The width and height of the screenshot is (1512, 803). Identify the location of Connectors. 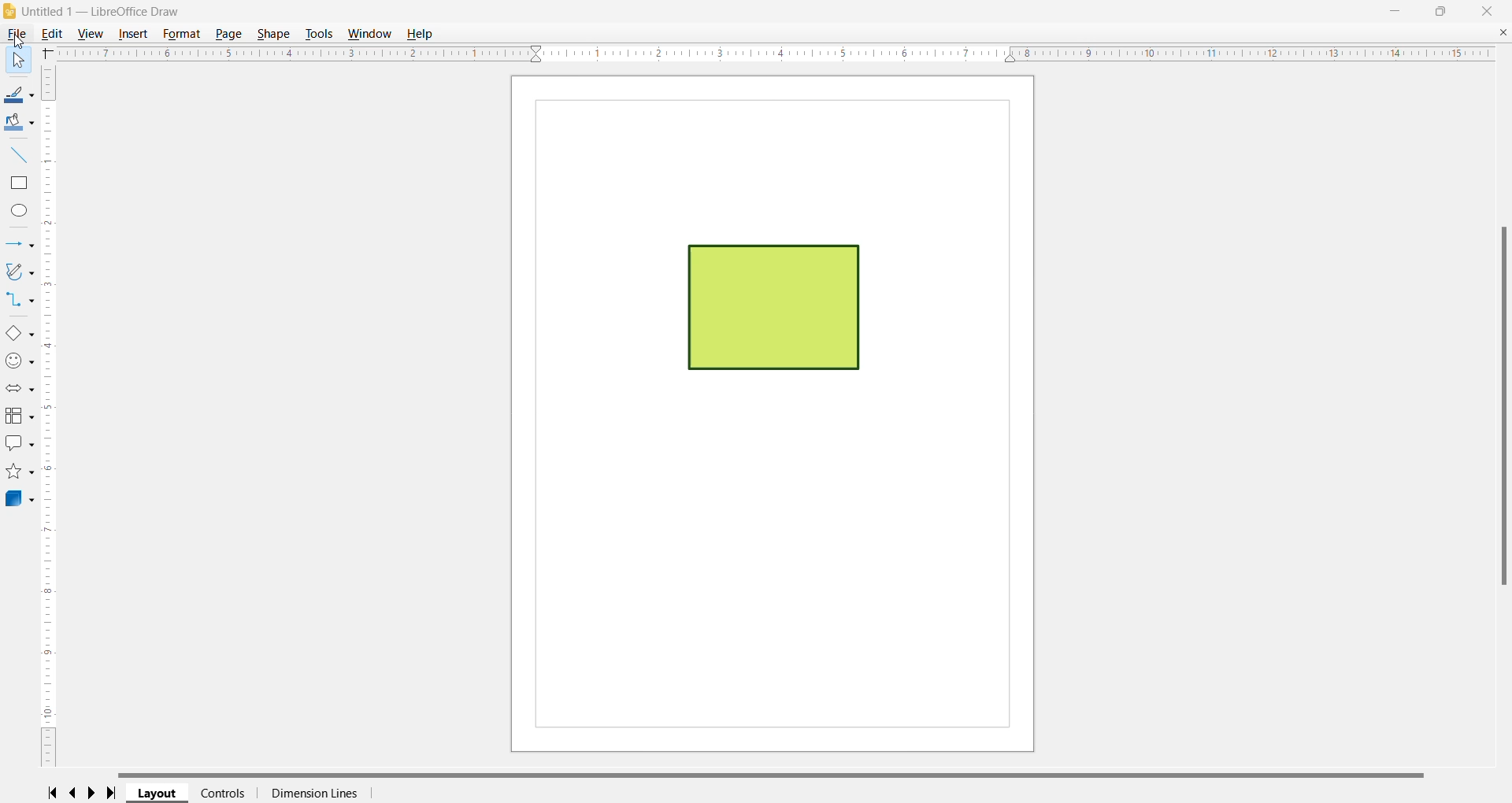
(18, 301).